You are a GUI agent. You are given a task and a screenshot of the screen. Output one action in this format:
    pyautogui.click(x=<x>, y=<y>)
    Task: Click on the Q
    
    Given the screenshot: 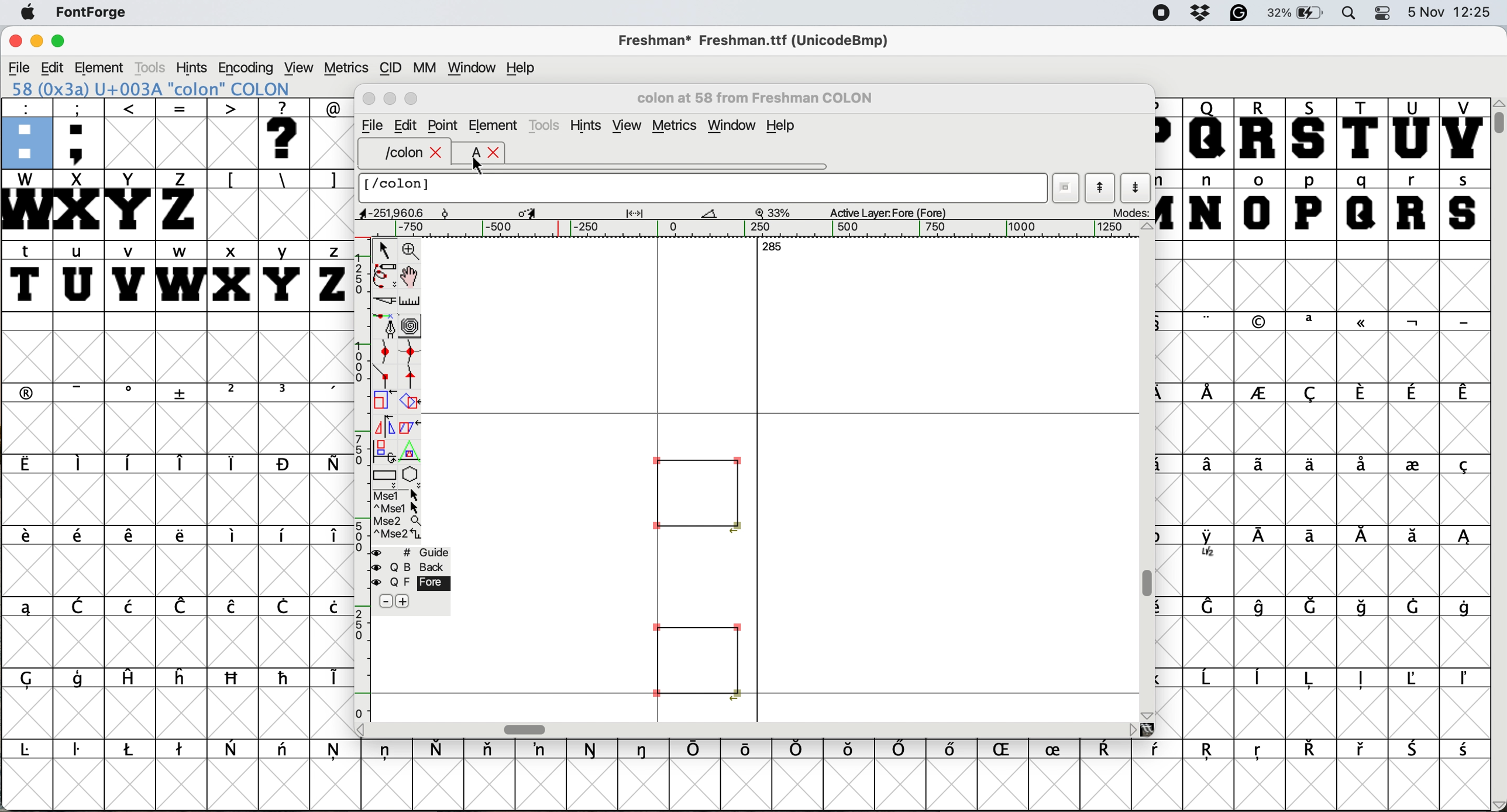 What is the action you would take?
    pyautogui.click(x=1209, y=133)
    